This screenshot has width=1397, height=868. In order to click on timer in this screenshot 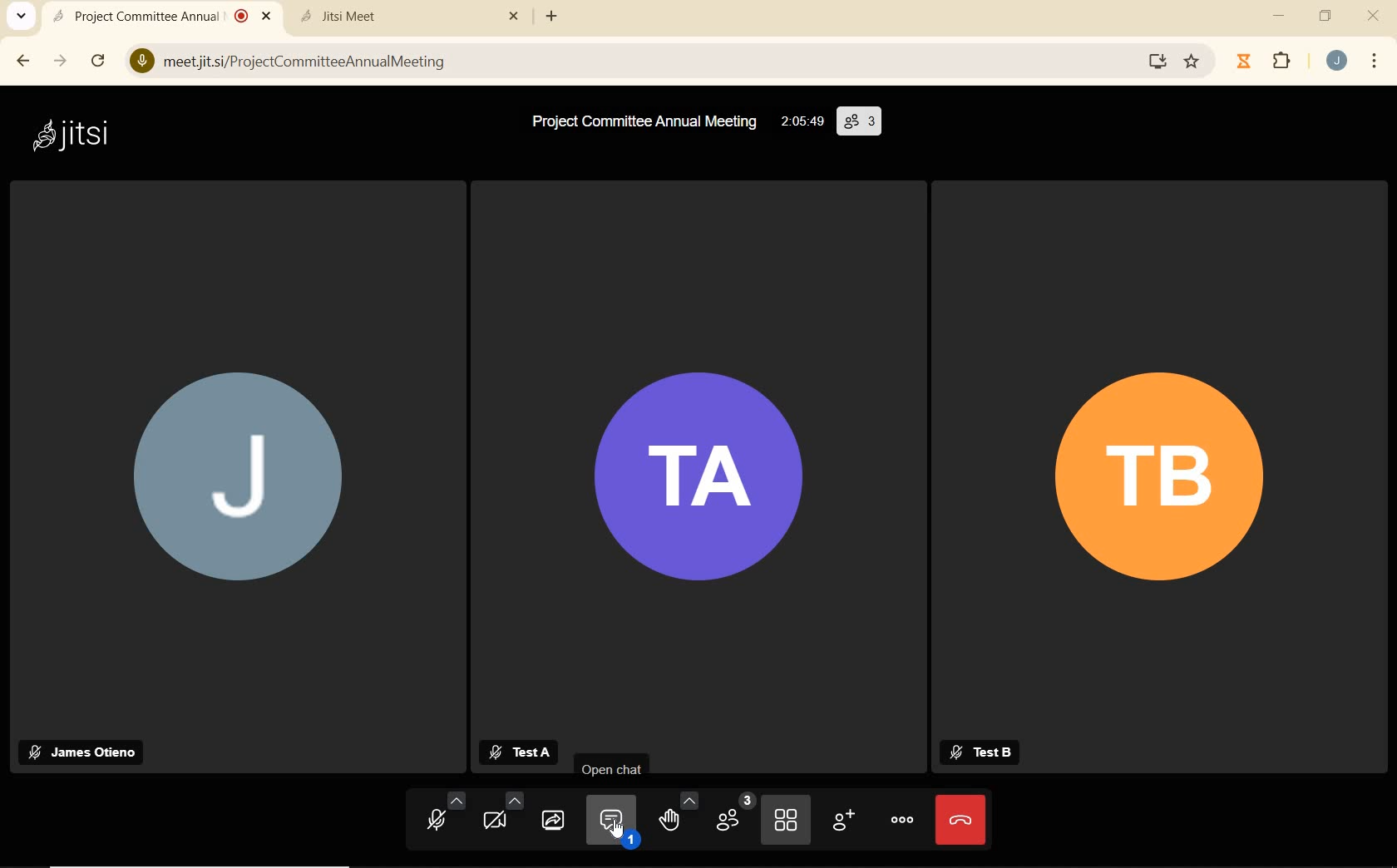, I will do `click(1242, 62)`.